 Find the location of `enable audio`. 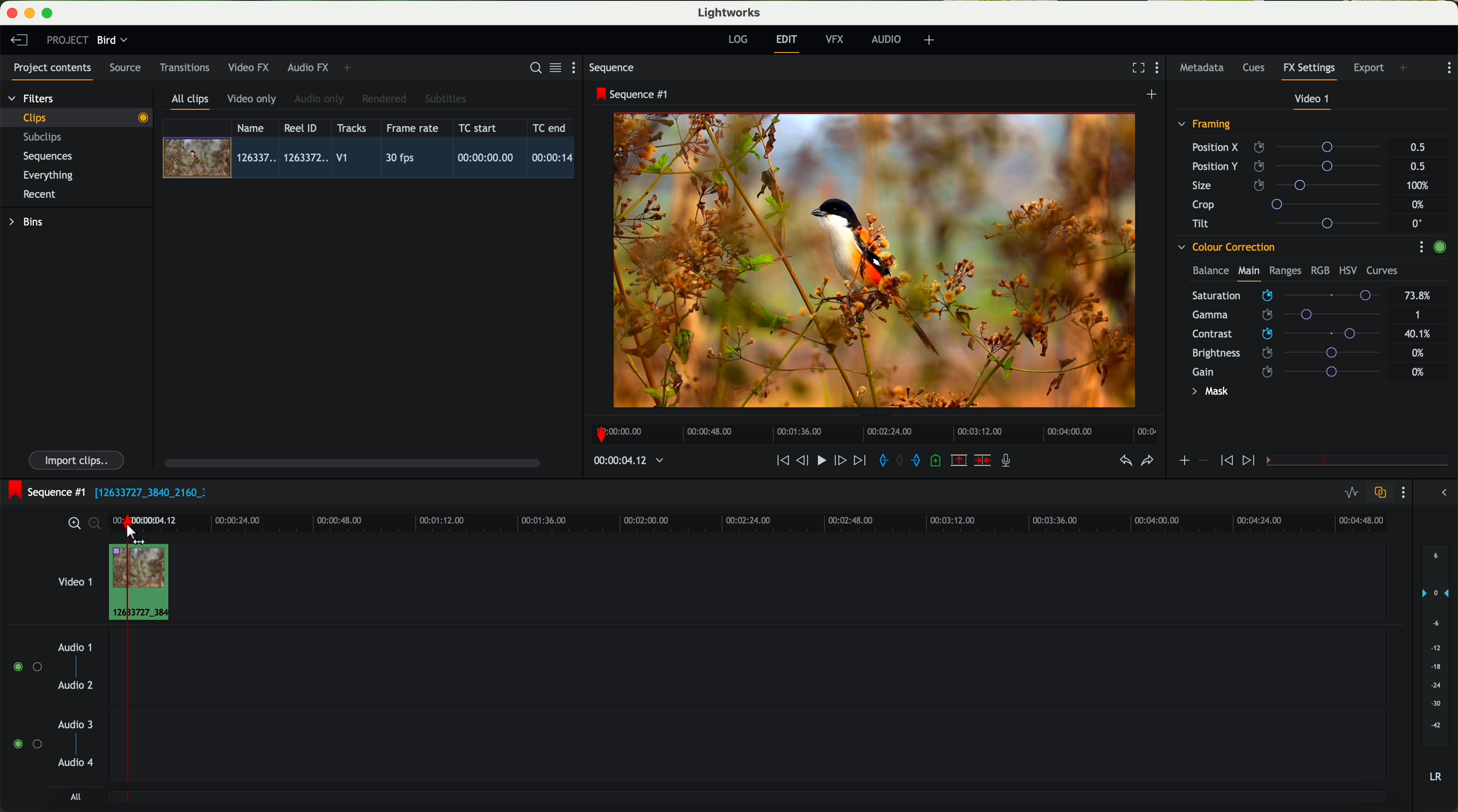

enable audio is located at coordinates (27, 744).